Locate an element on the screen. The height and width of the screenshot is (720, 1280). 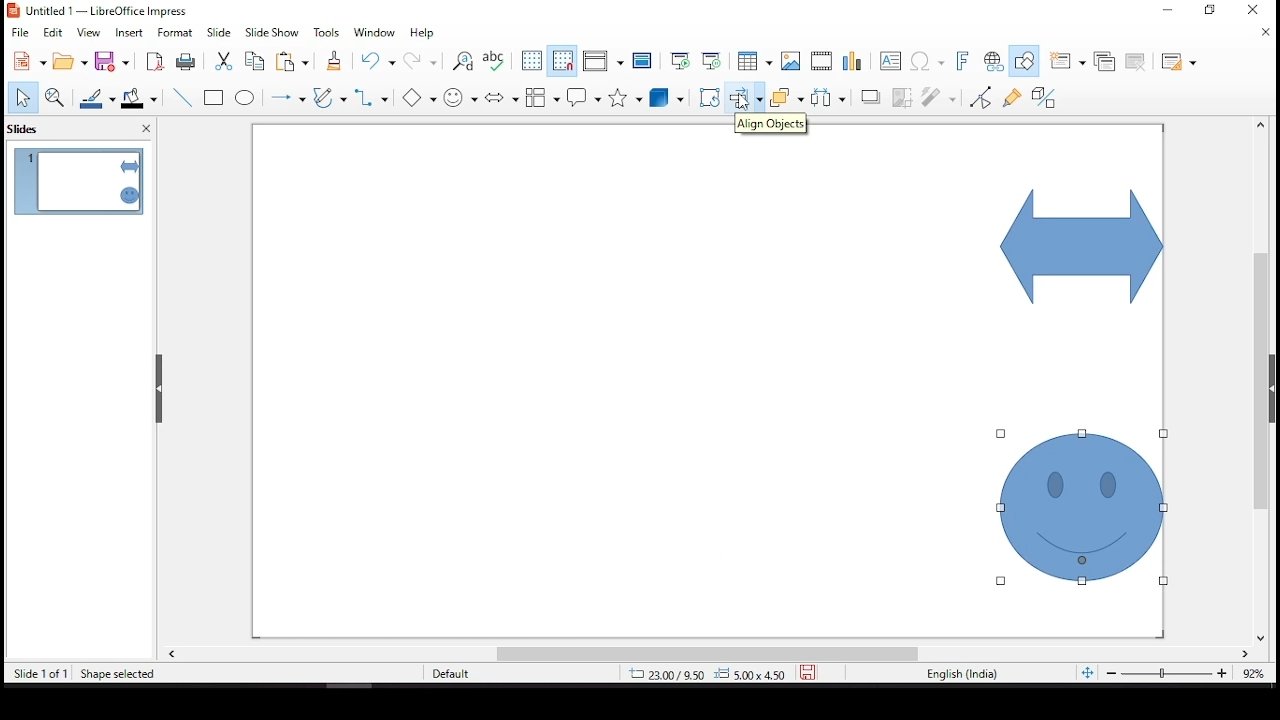
rectangle is located at coordinates (216, 99).